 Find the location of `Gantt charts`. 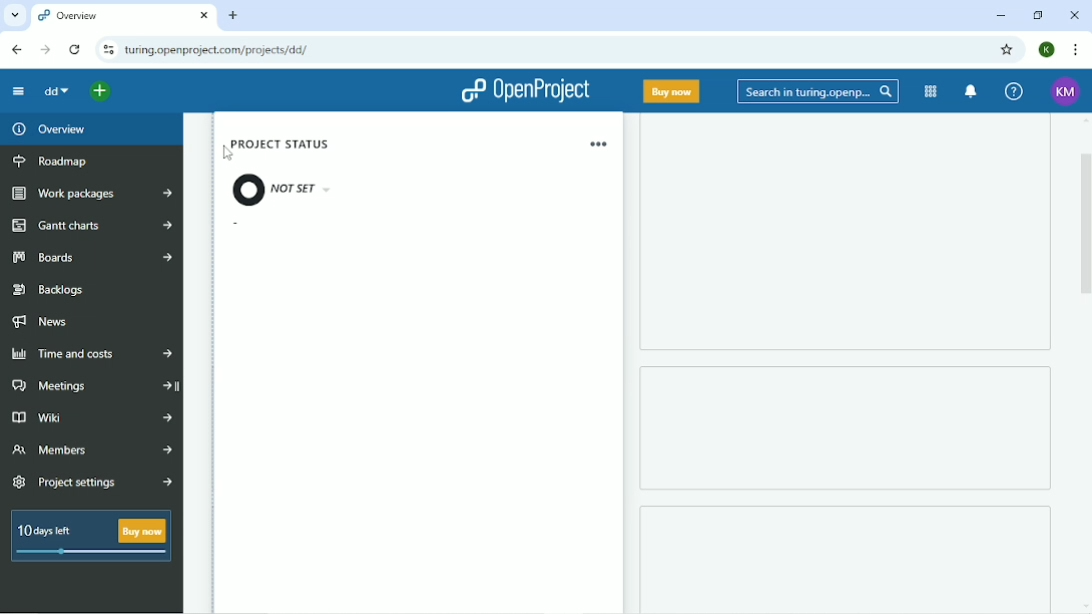

Gantt charts is located at coordinates (90, 227).